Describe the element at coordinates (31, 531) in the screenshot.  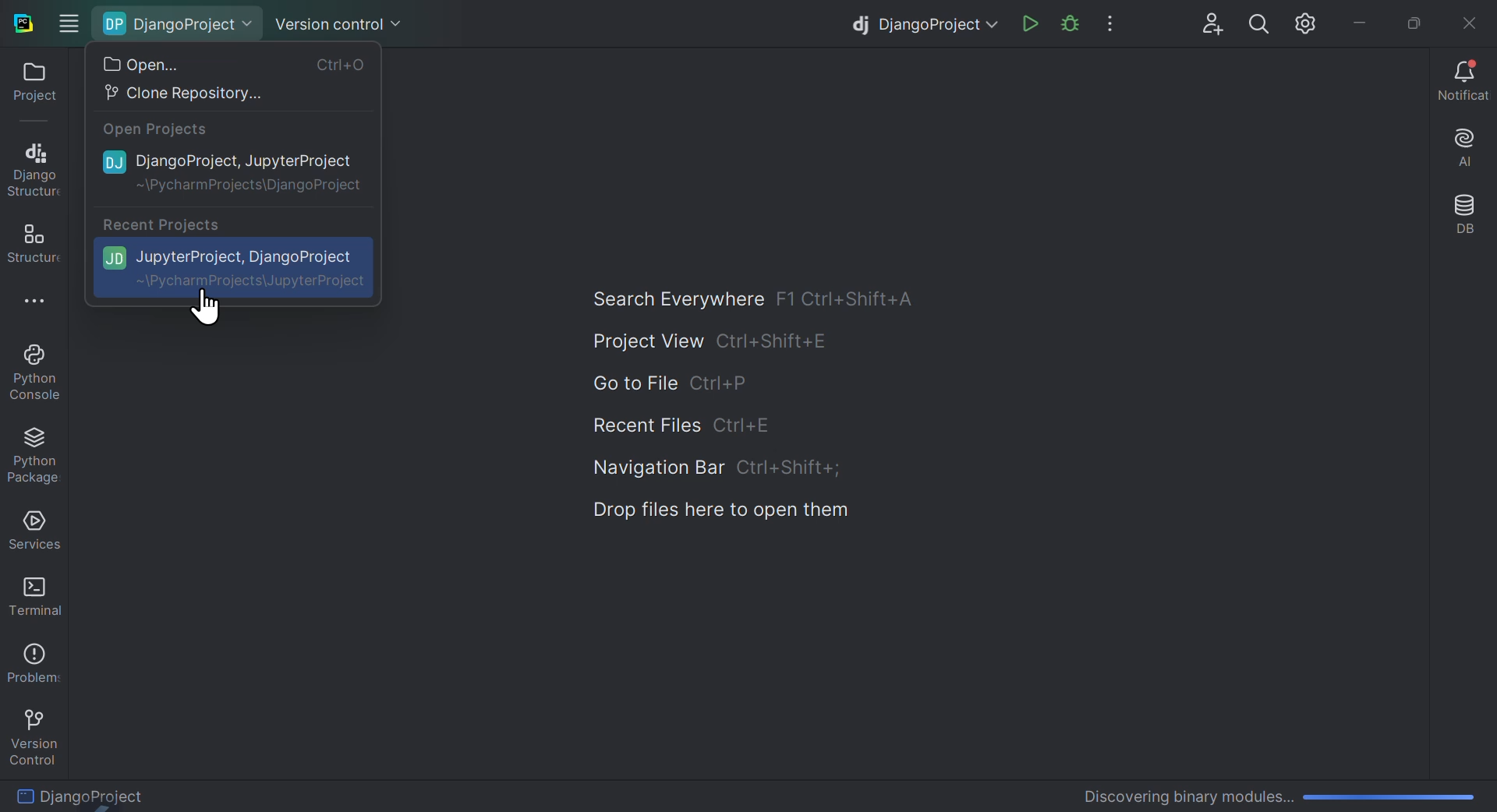
I see `Services` at that location.